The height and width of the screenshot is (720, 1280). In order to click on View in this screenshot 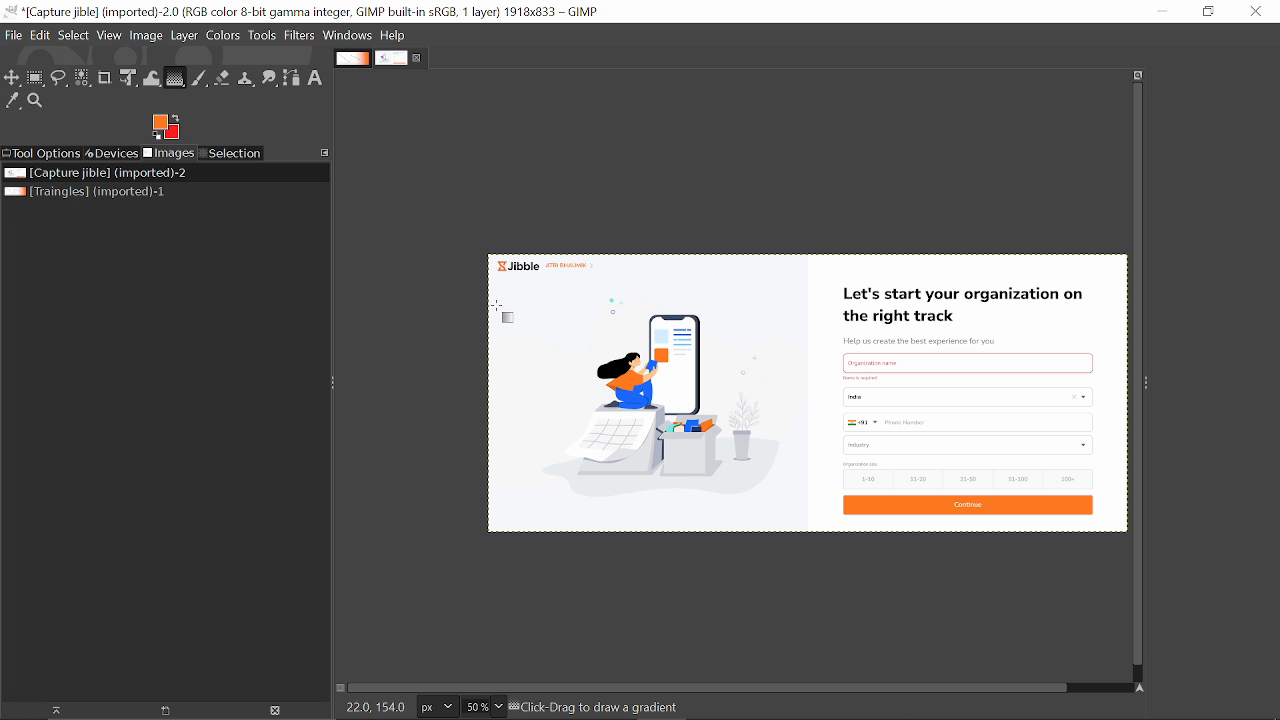, I will do `click(110, 35)`.